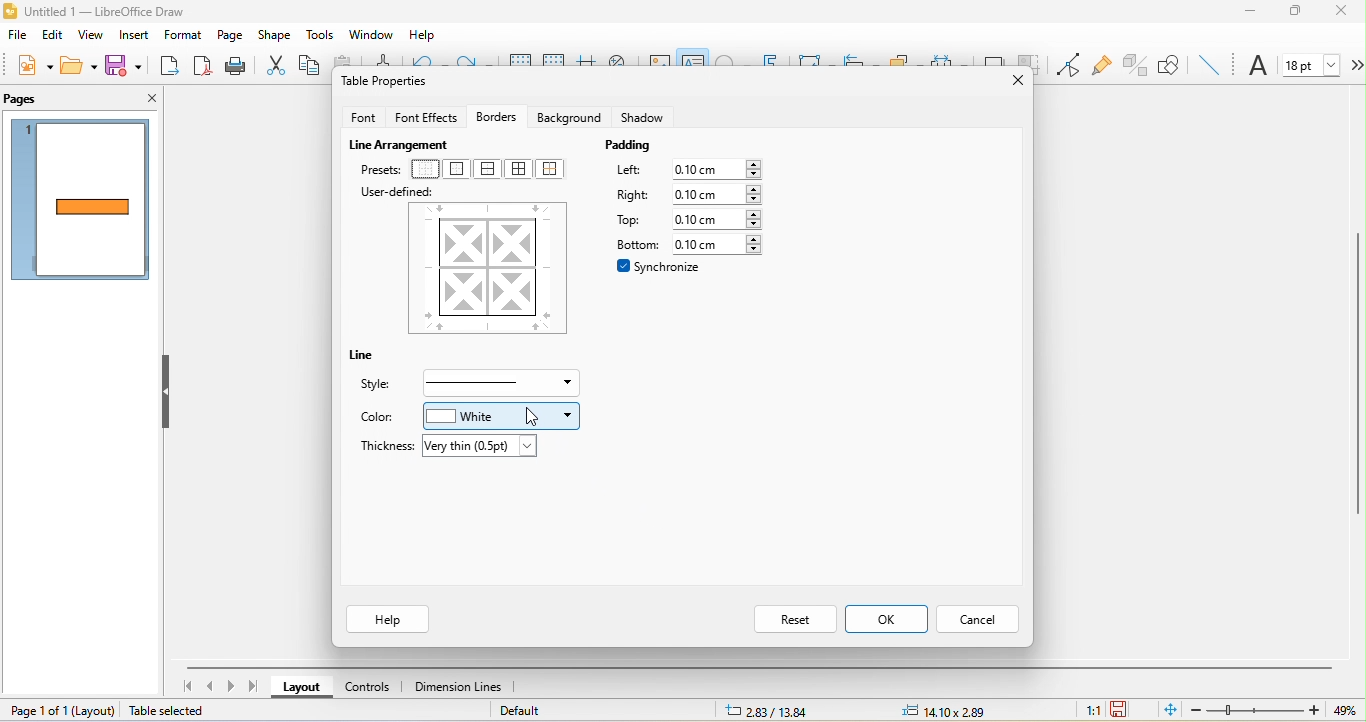 This screenshot has height=722, width=1366. I want to click on insert line, so click(1209, 64).